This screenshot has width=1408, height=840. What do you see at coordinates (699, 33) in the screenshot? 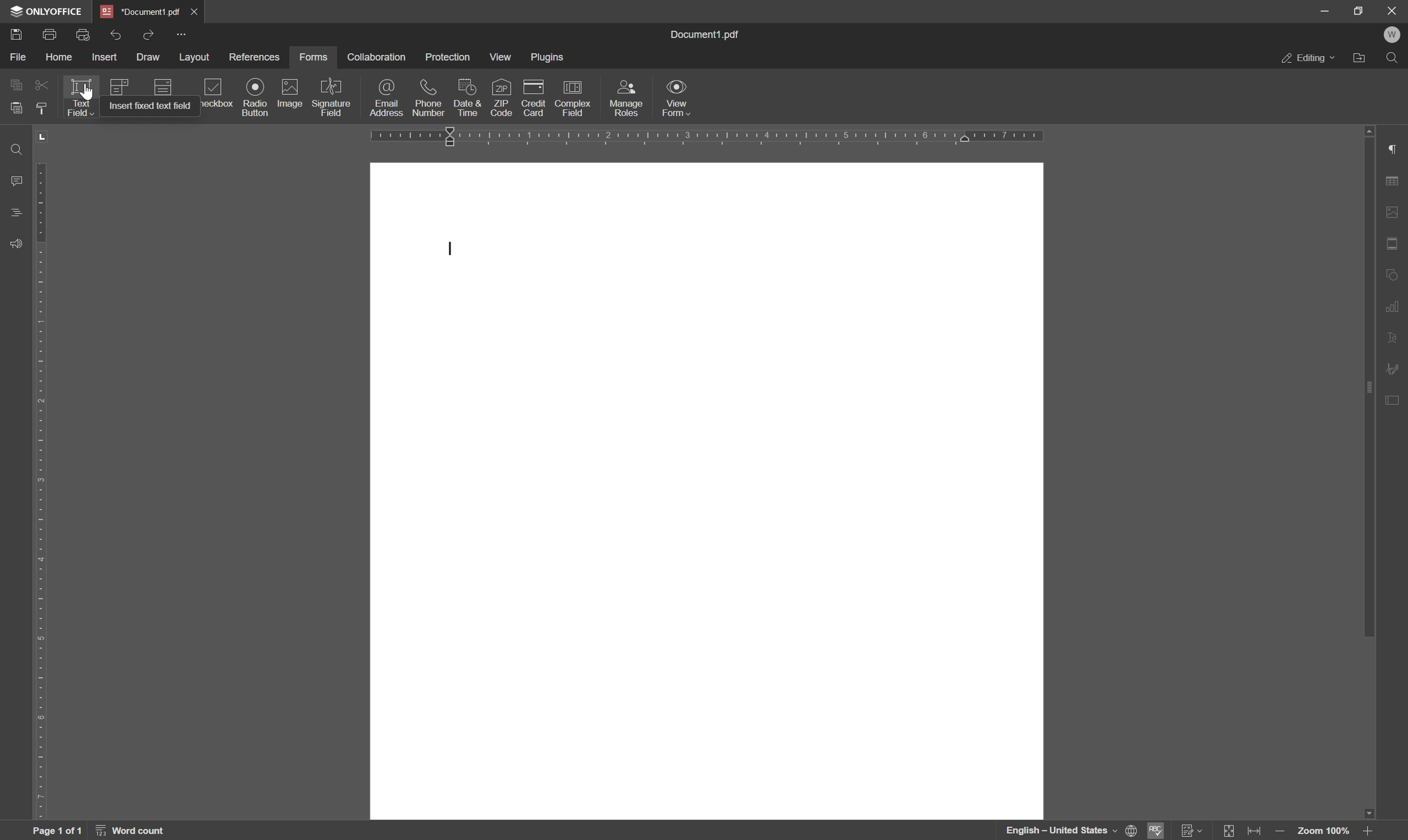
I see `document1.pdf` at bounding box center [699, 33].